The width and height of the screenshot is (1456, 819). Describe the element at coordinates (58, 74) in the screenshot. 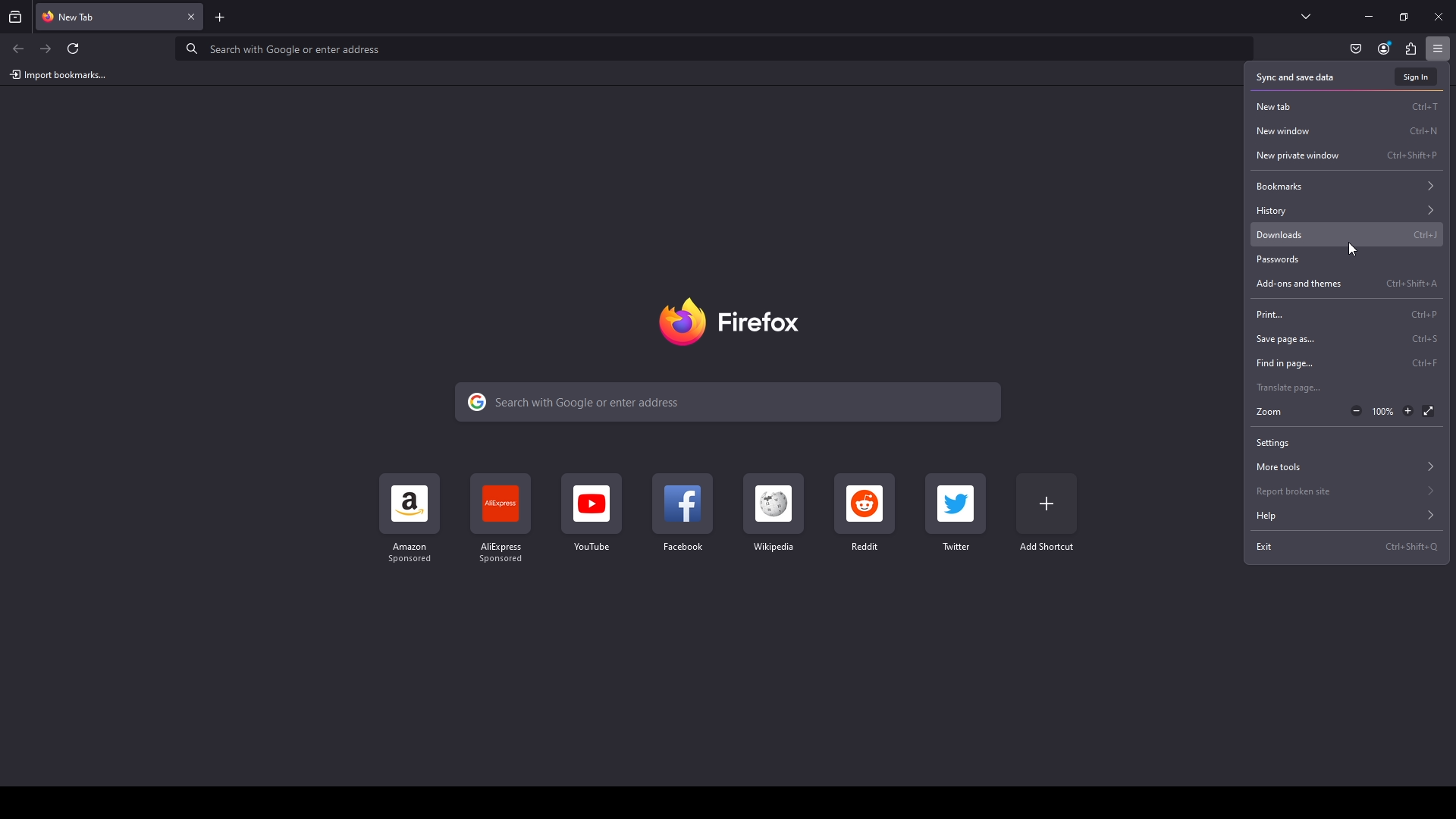

I see `Import bookmarks from another browser to Firefox` at that location.